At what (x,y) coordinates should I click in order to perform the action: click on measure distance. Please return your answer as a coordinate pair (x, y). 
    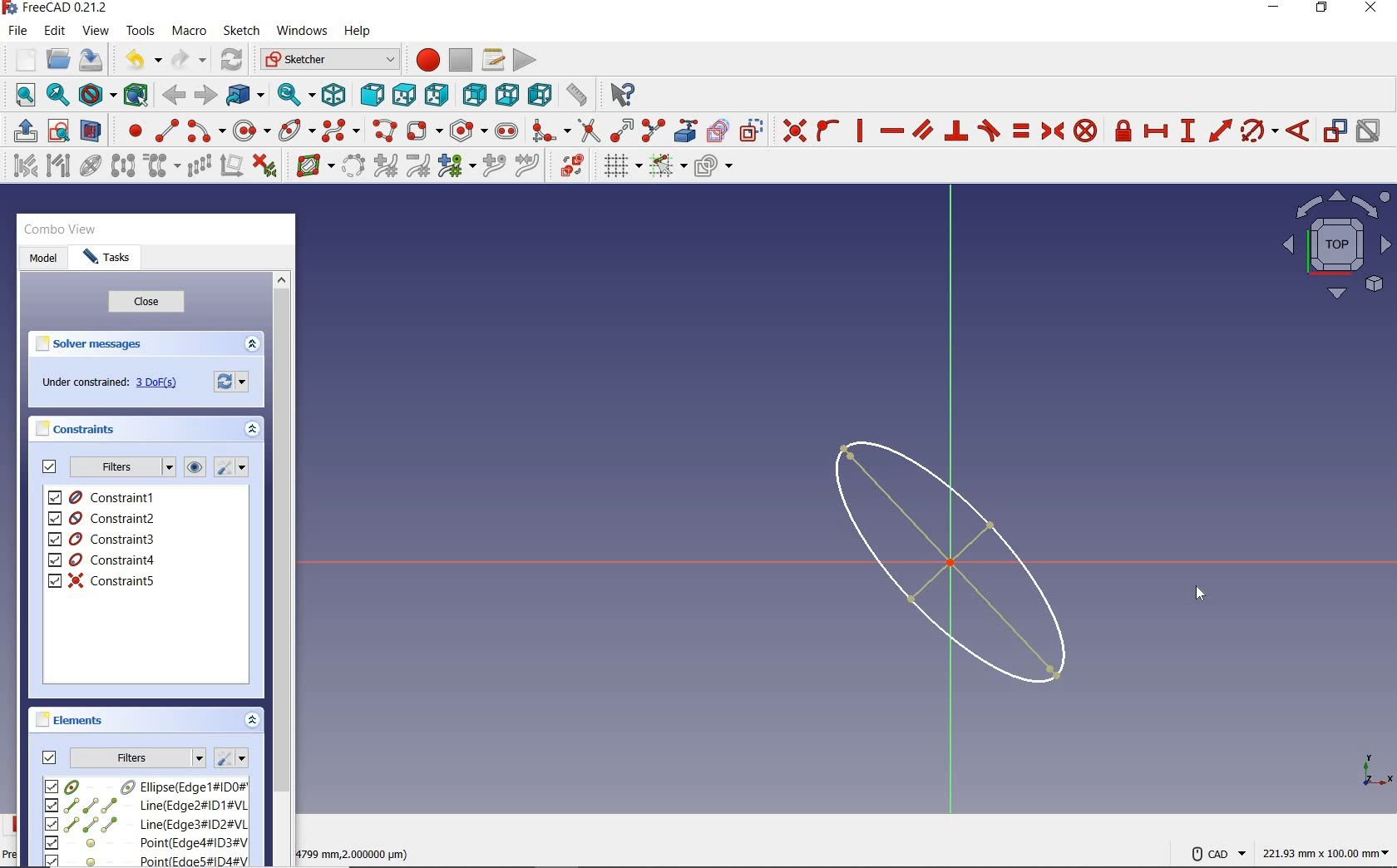
    Looking at the image, I should click on (578, 92).